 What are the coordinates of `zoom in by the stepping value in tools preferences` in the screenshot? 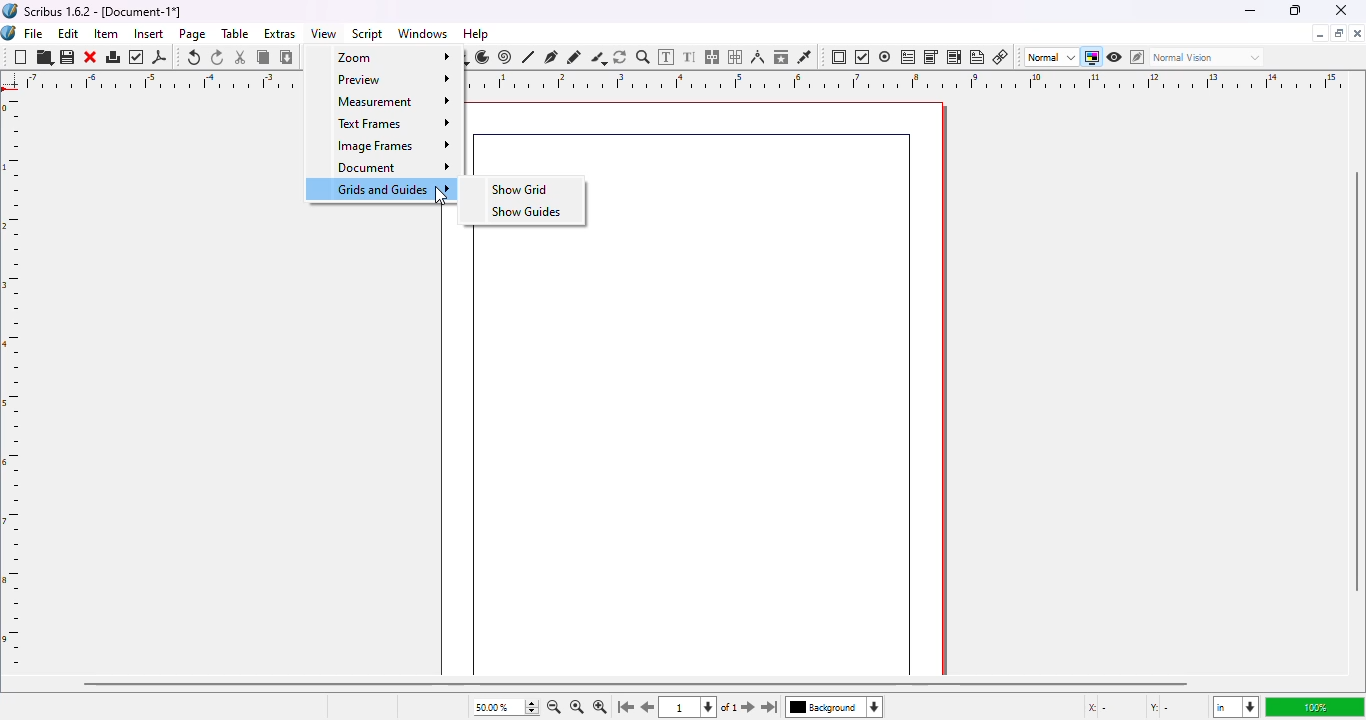 It's located at (599, 708).